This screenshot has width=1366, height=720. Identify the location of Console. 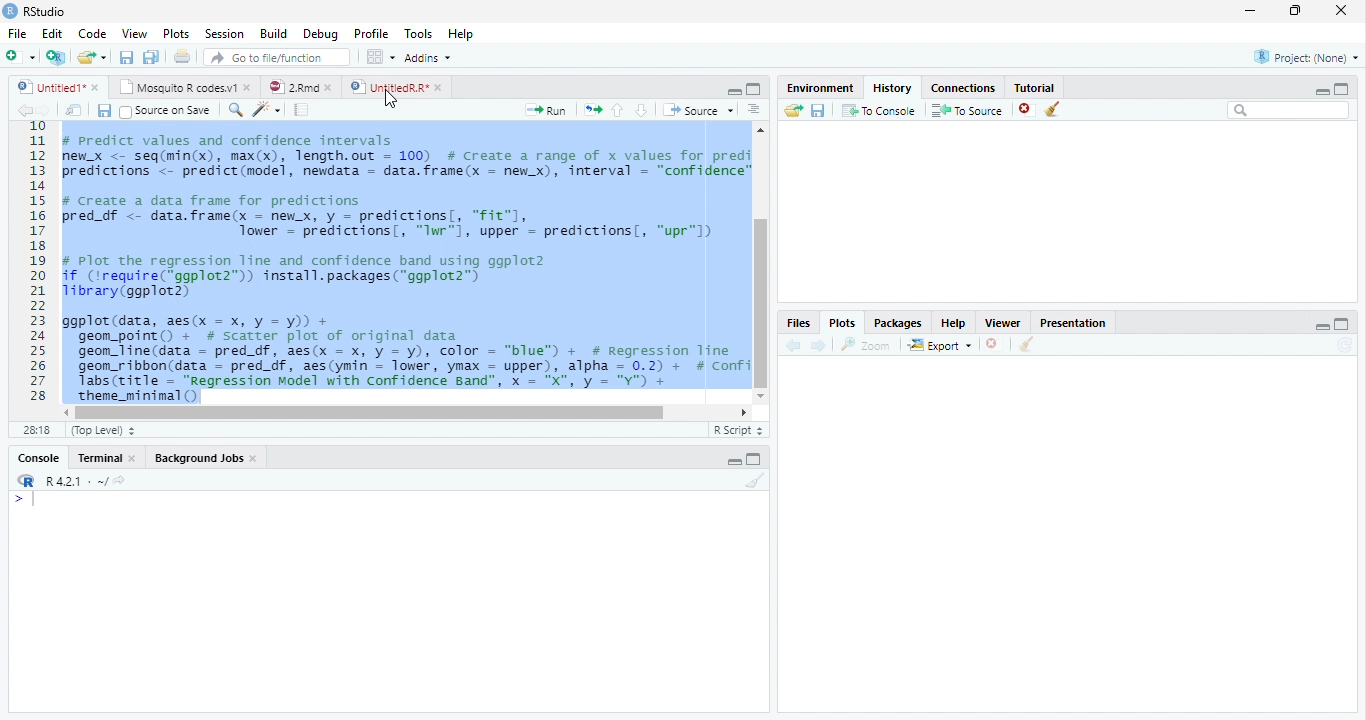
(37, 455).